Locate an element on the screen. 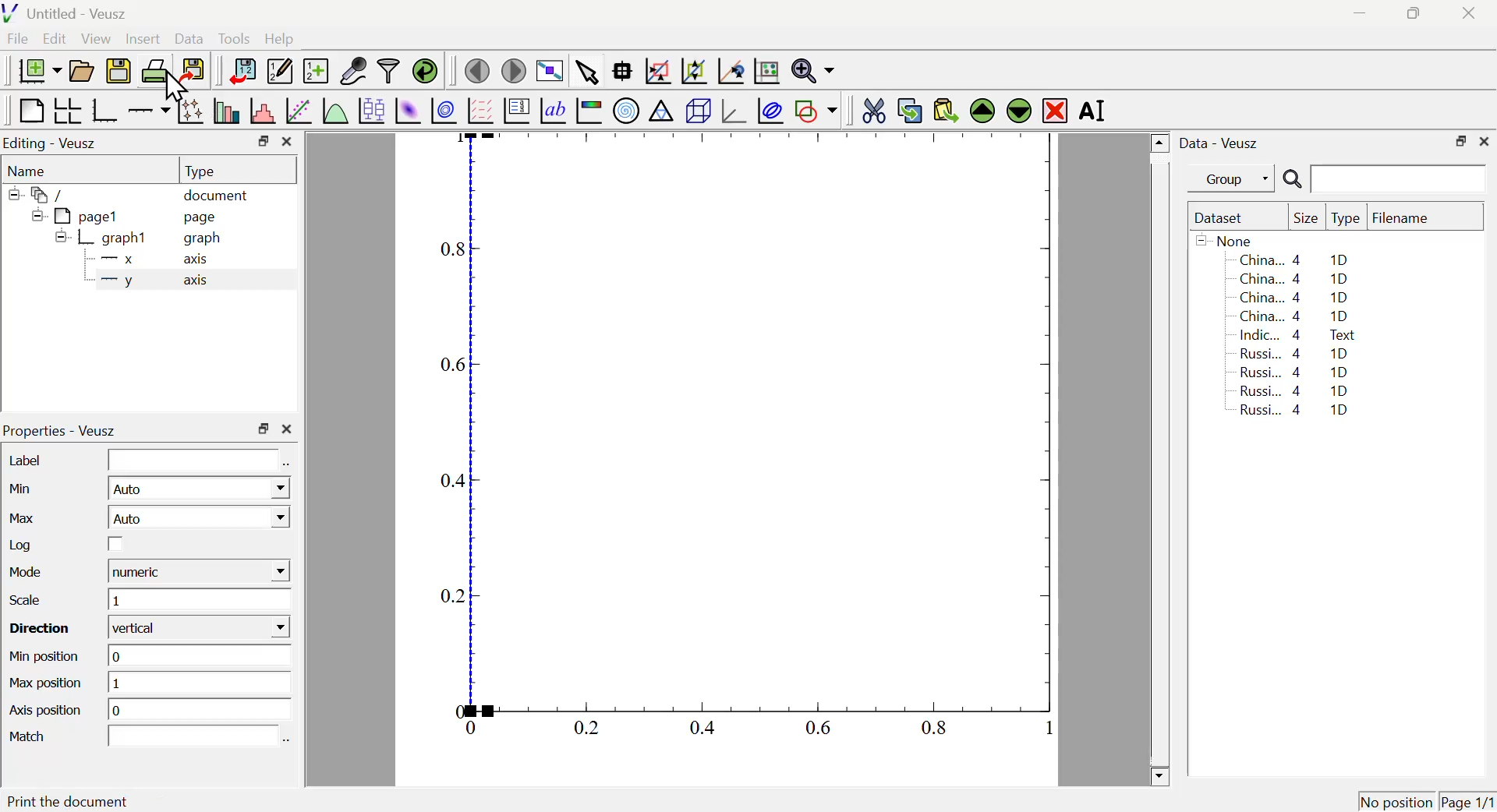 The height and width of the screenshot is (812, 1497). Plot Box Plots is located at coordinates (370, 110).